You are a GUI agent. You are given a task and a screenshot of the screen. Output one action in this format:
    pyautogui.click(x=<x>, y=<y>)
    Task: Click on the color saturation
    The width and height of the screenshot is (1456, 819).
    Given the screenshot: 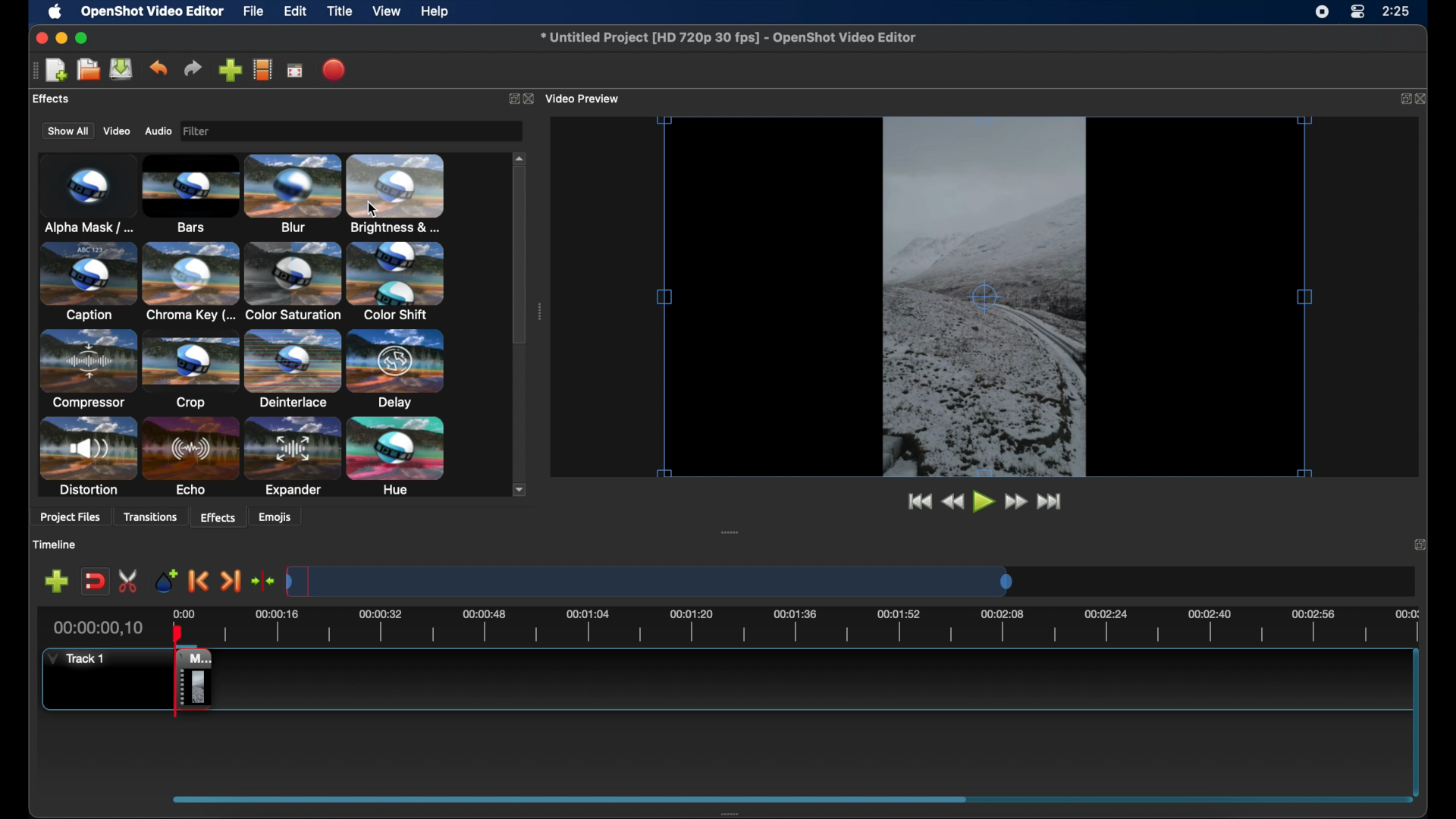 What is the action you would take?
    pyautogui.click(x=292, y=282)
    